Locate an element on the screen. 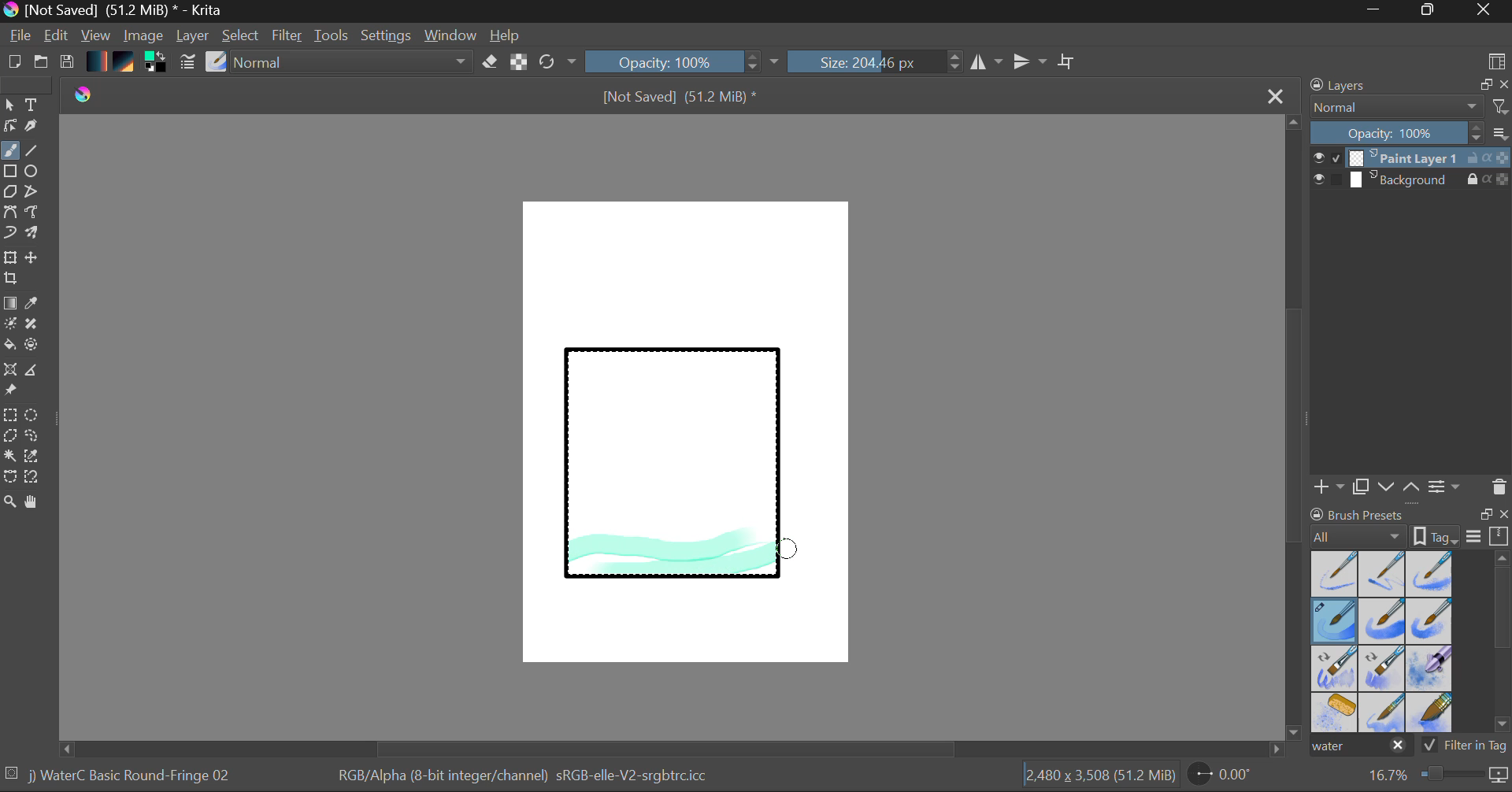 The image size is (1512, 792). Text is located at coordinates (32, 103).